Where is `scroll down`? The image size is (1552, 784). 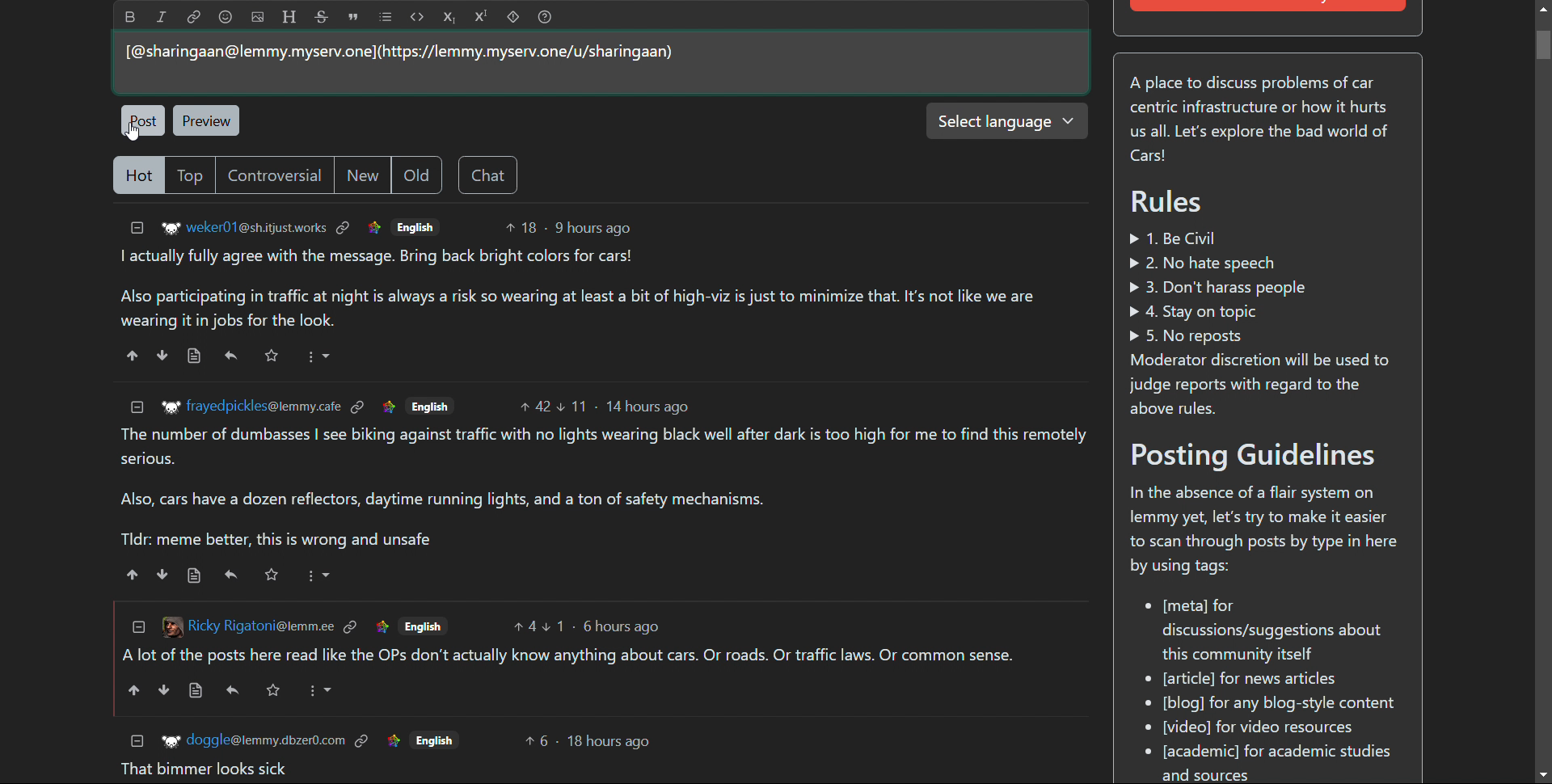 scroll down is located at coordinates (1542, 775).